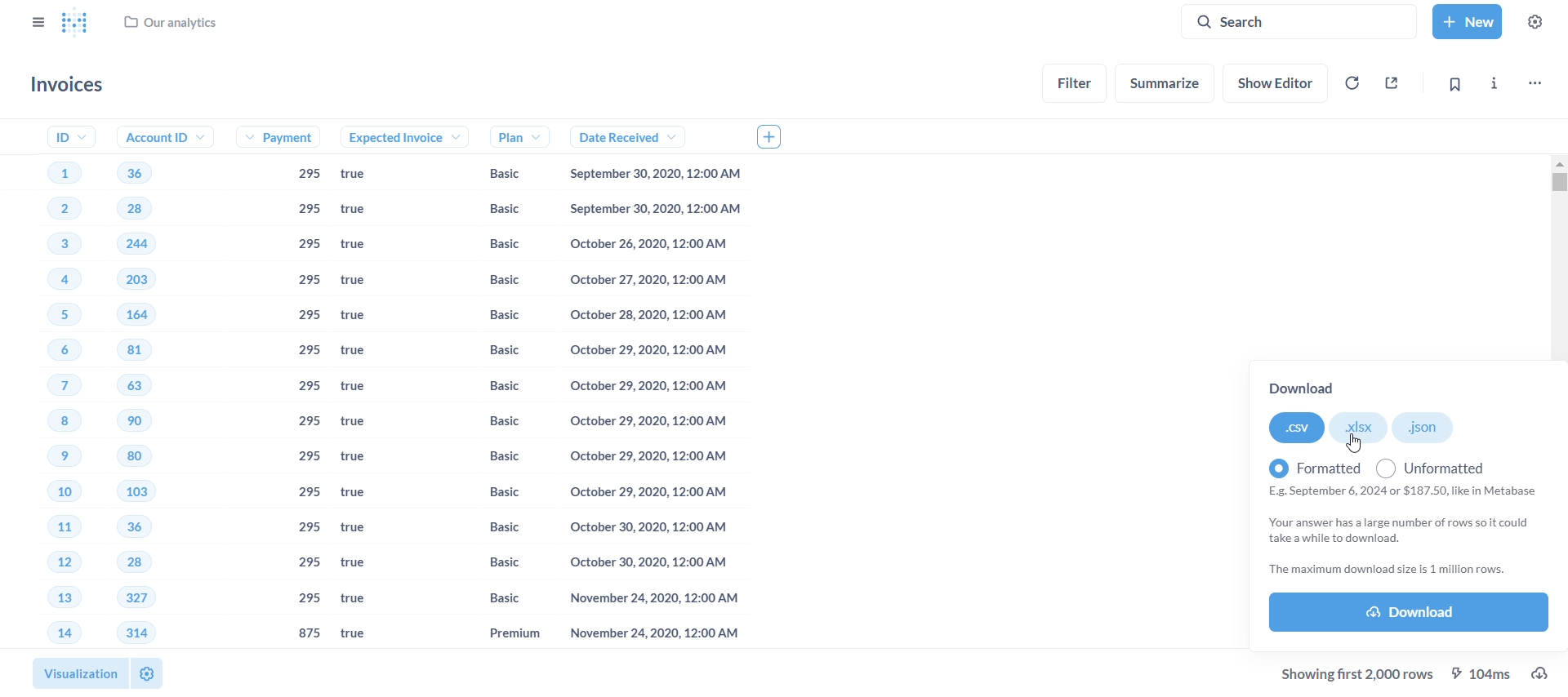 The image size is (1568, 697). Describe the element at coordinates (645, 424) in the screenshot. I see `October 29,2020, 12:00 AM` at that location.